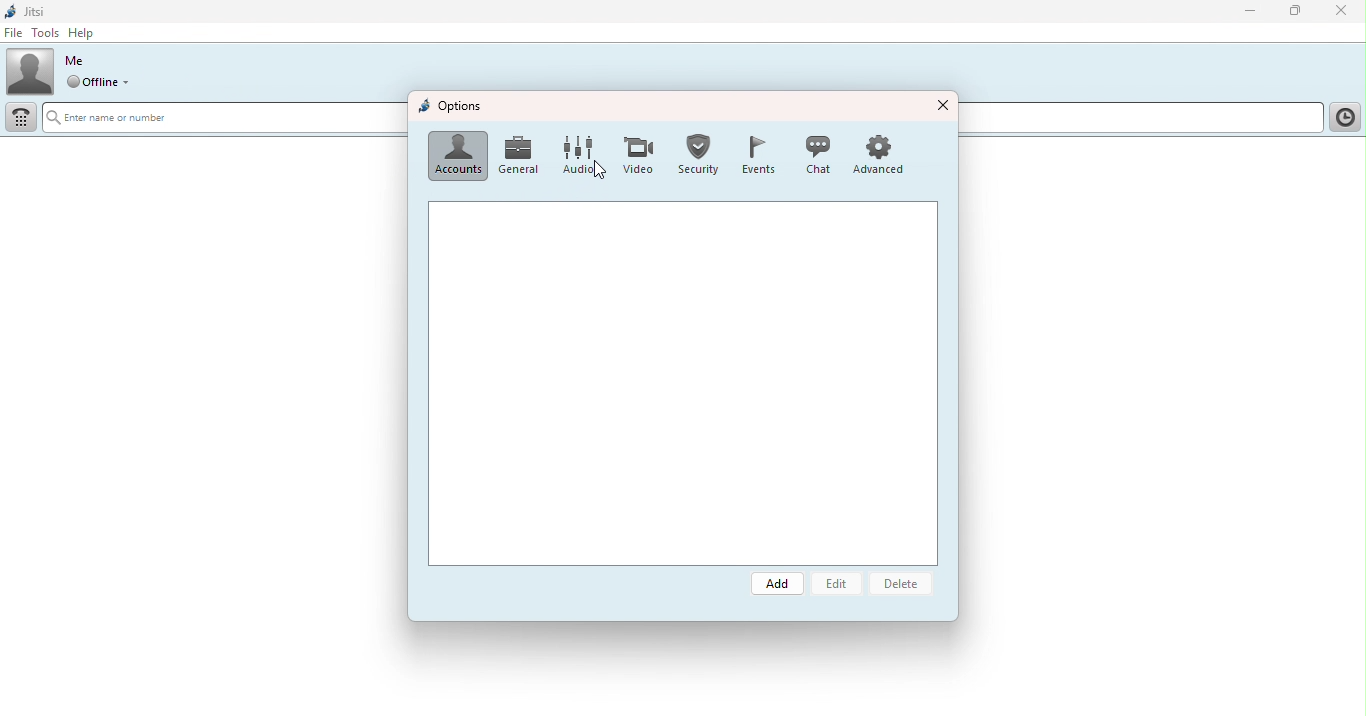 The height and width of the screenshot is (716, 1366). I want to click on Add, so click(779, 584).